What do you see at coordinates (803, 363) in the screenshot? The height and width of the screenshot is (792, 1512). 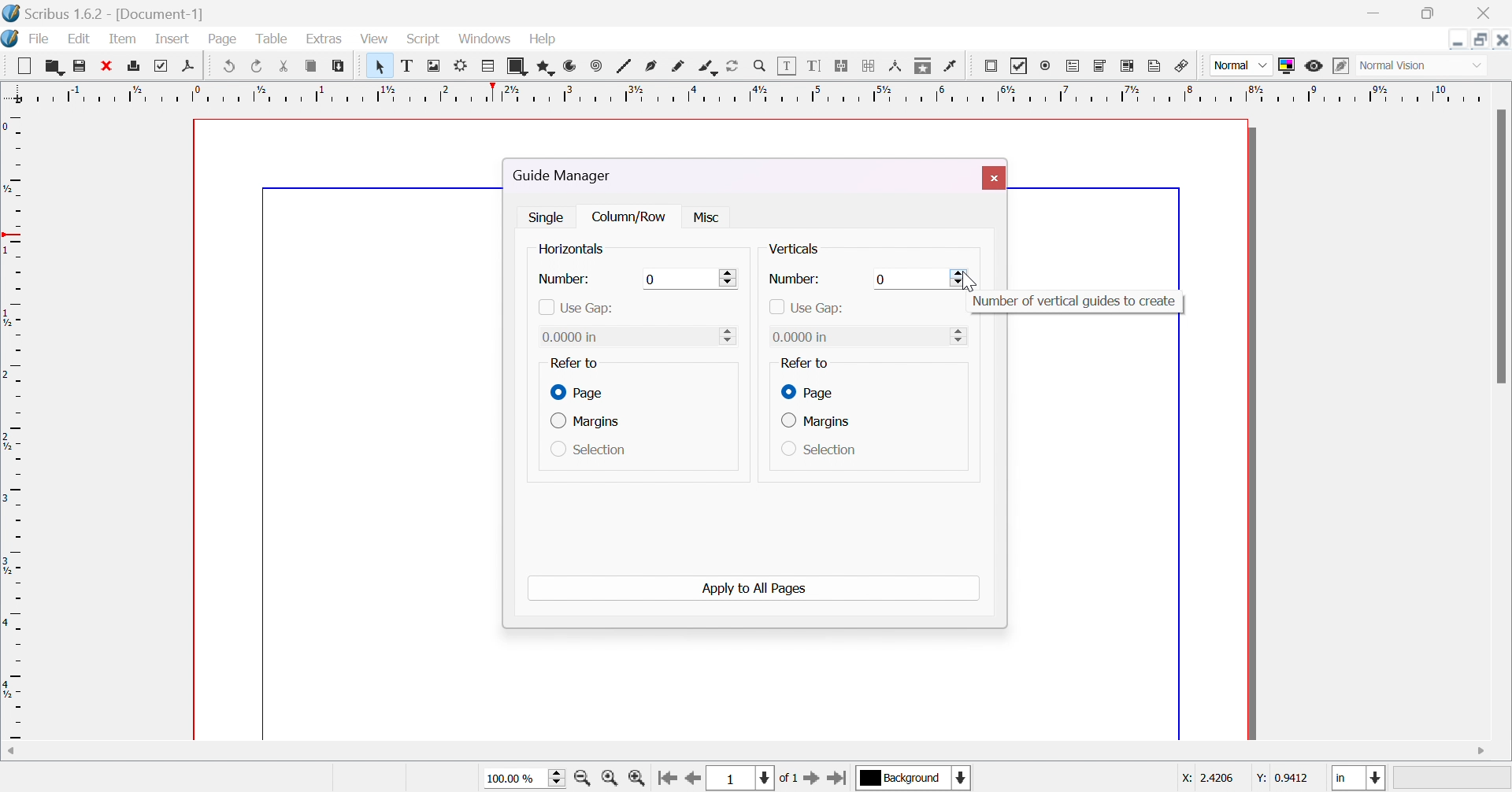 I see `refer to` at bounding box center [803, 363].